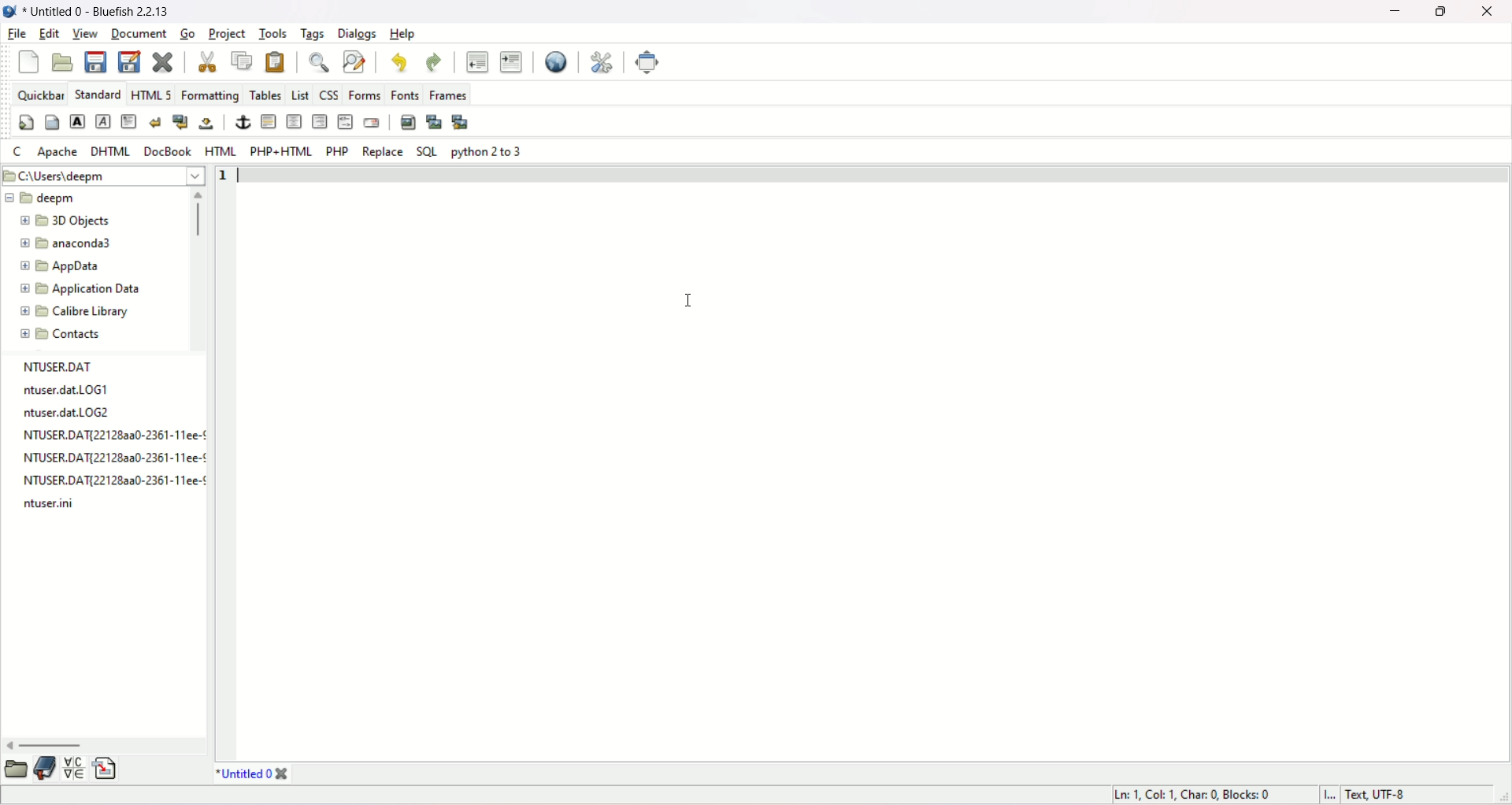 Image resolution: width=1512 pixels, height=805 pixels. I want to click on folder name, so click(83, 288).